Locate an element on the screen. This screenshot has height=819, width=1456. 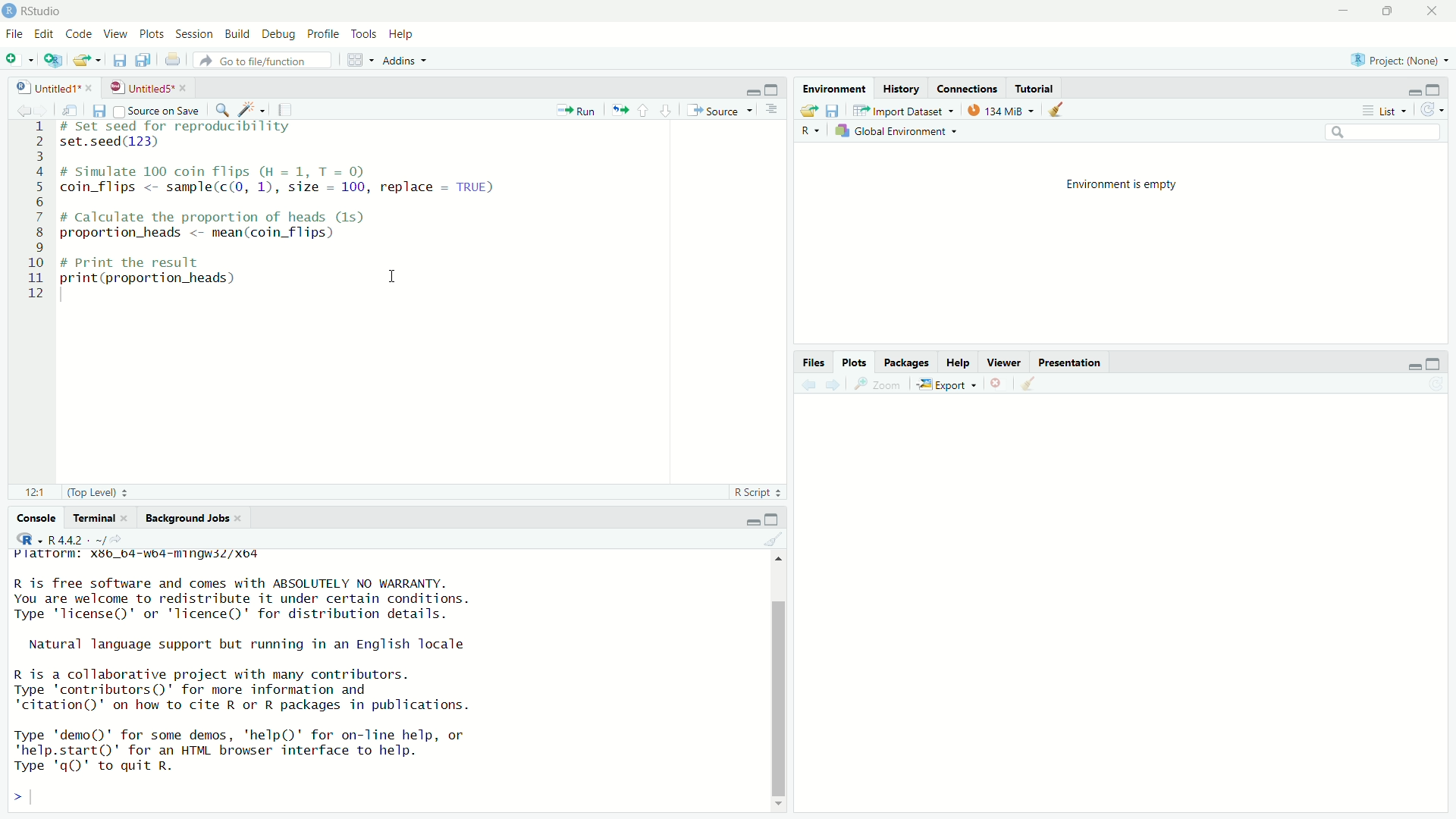
maximize is located at coordinates (1388, 10).